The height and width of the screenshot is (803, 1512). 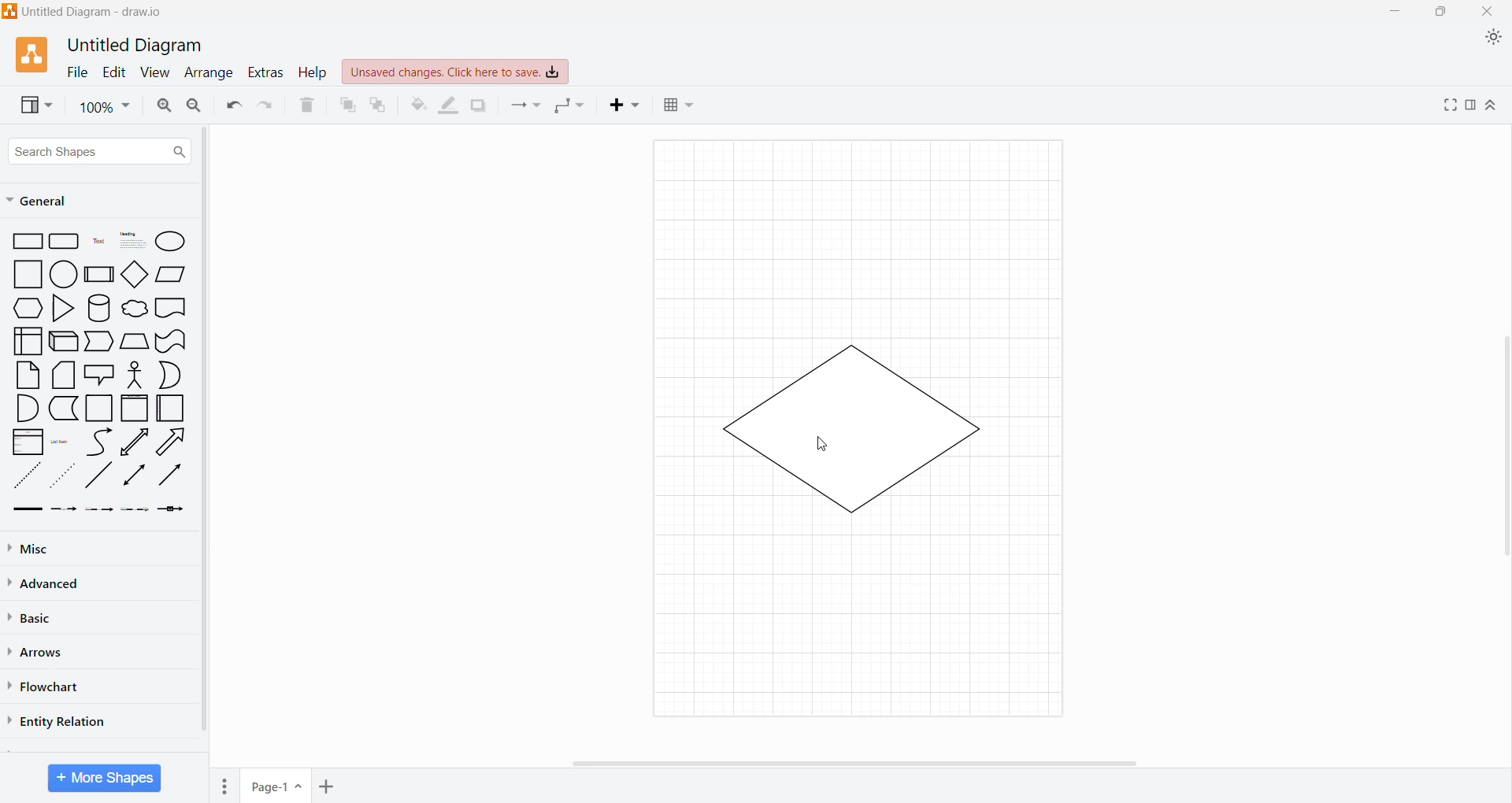 I want to click on Close, so click(x=1489, y=12).